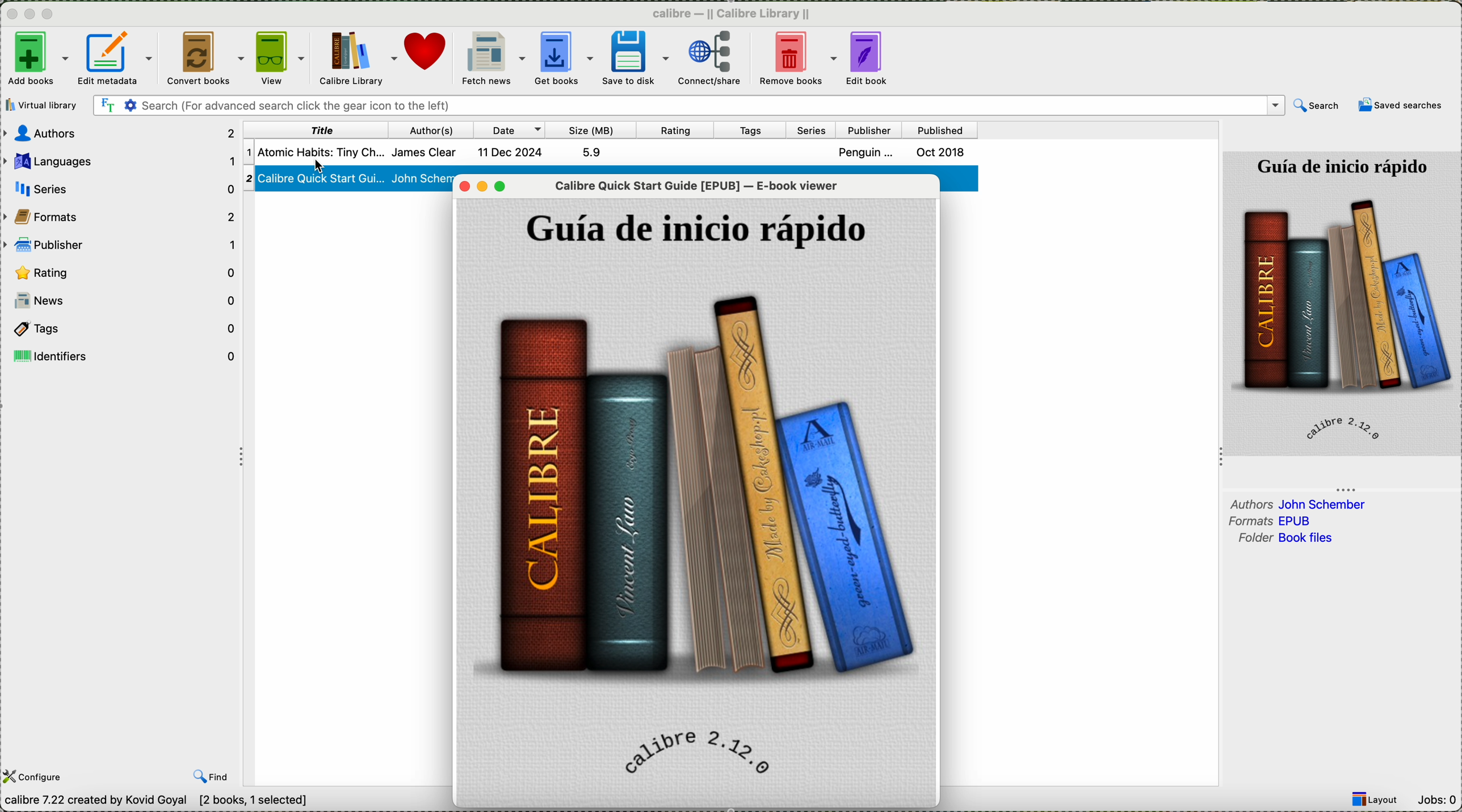 The image size is (1462, 812). I want to click on Calibre, so click(731, 14).